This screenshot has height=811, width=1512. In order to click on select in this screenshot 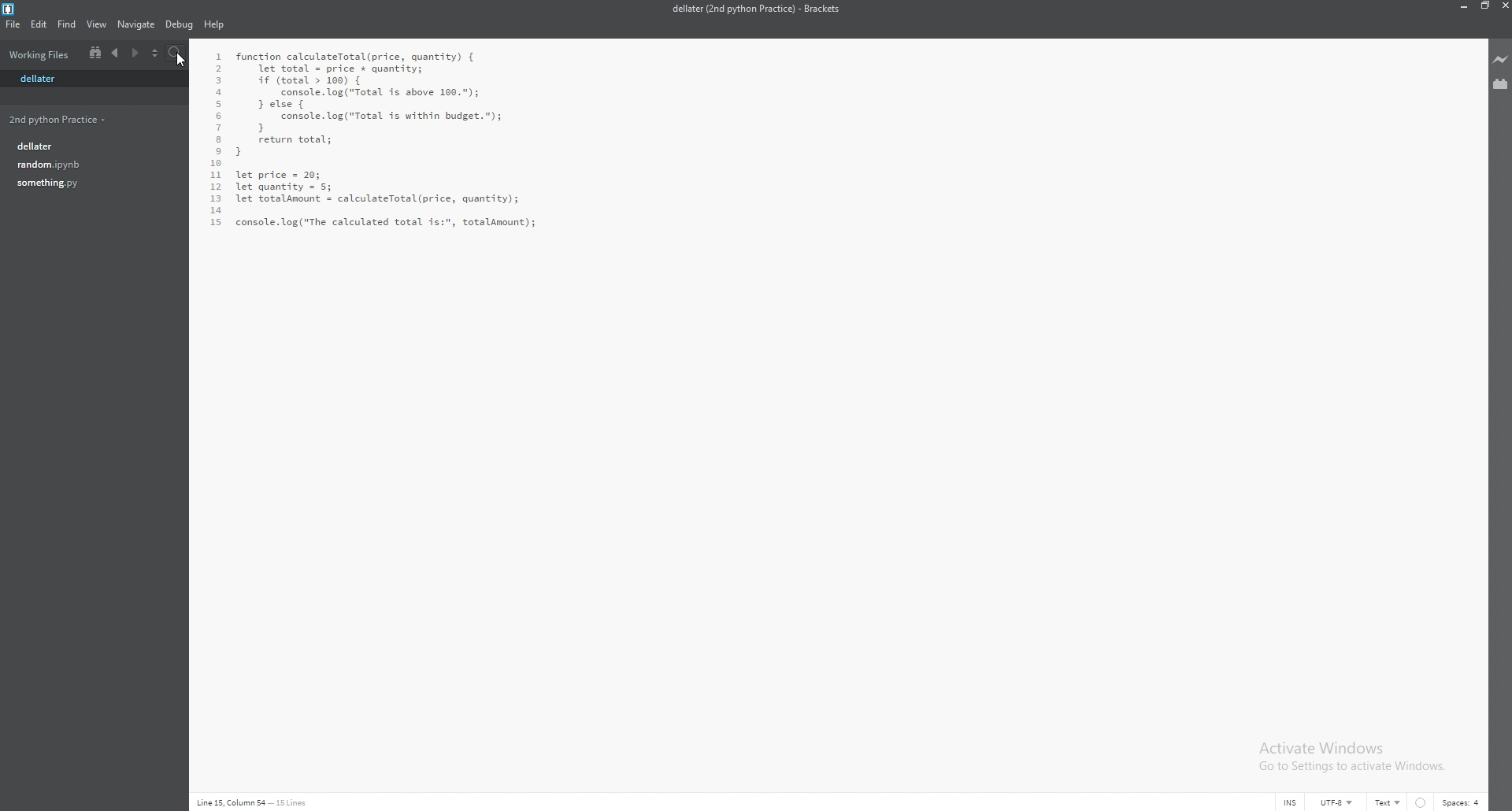, I will do `click(155, 54)`.